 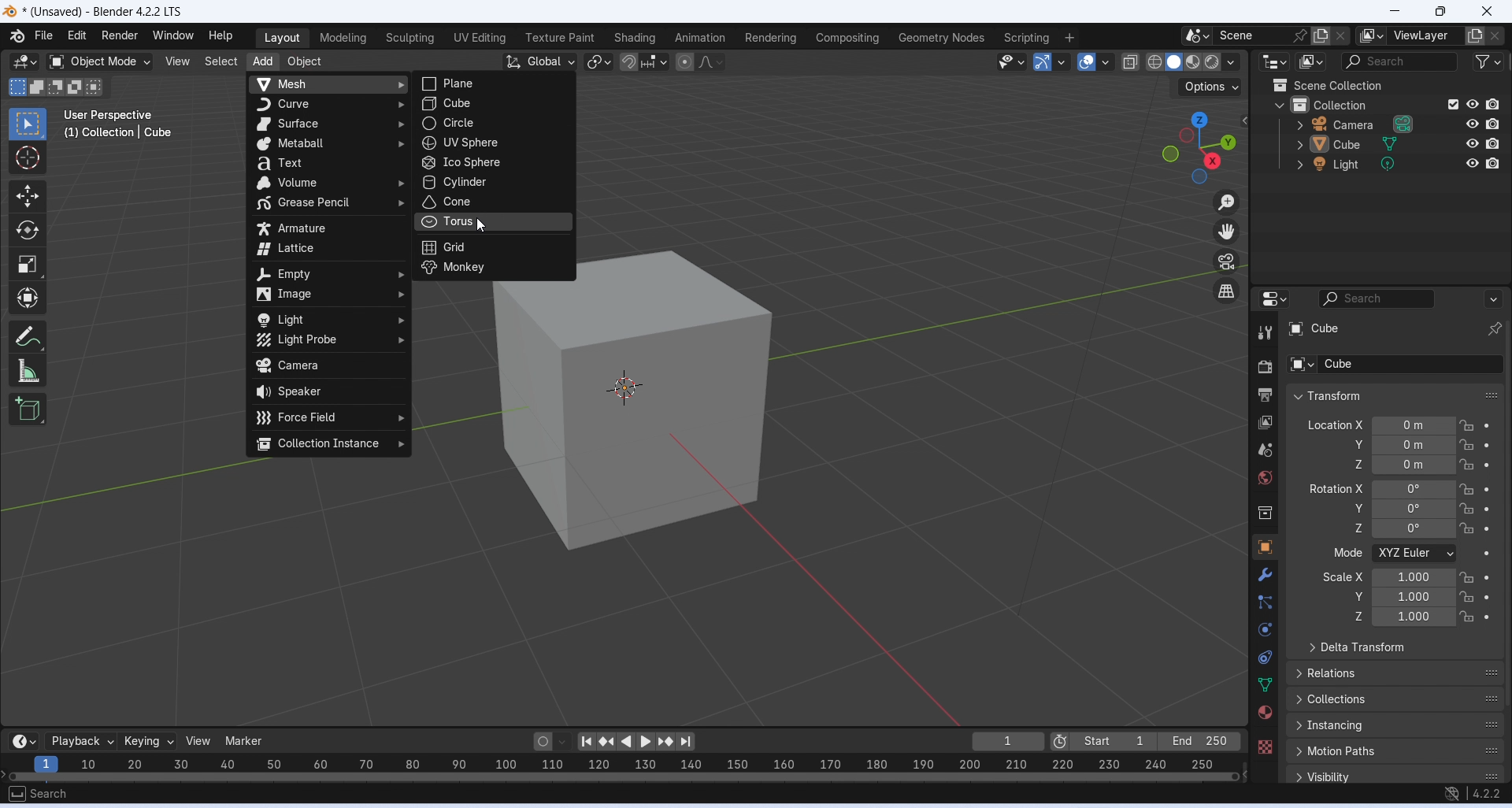 I want to click on Global, so click(x=540, y=61).